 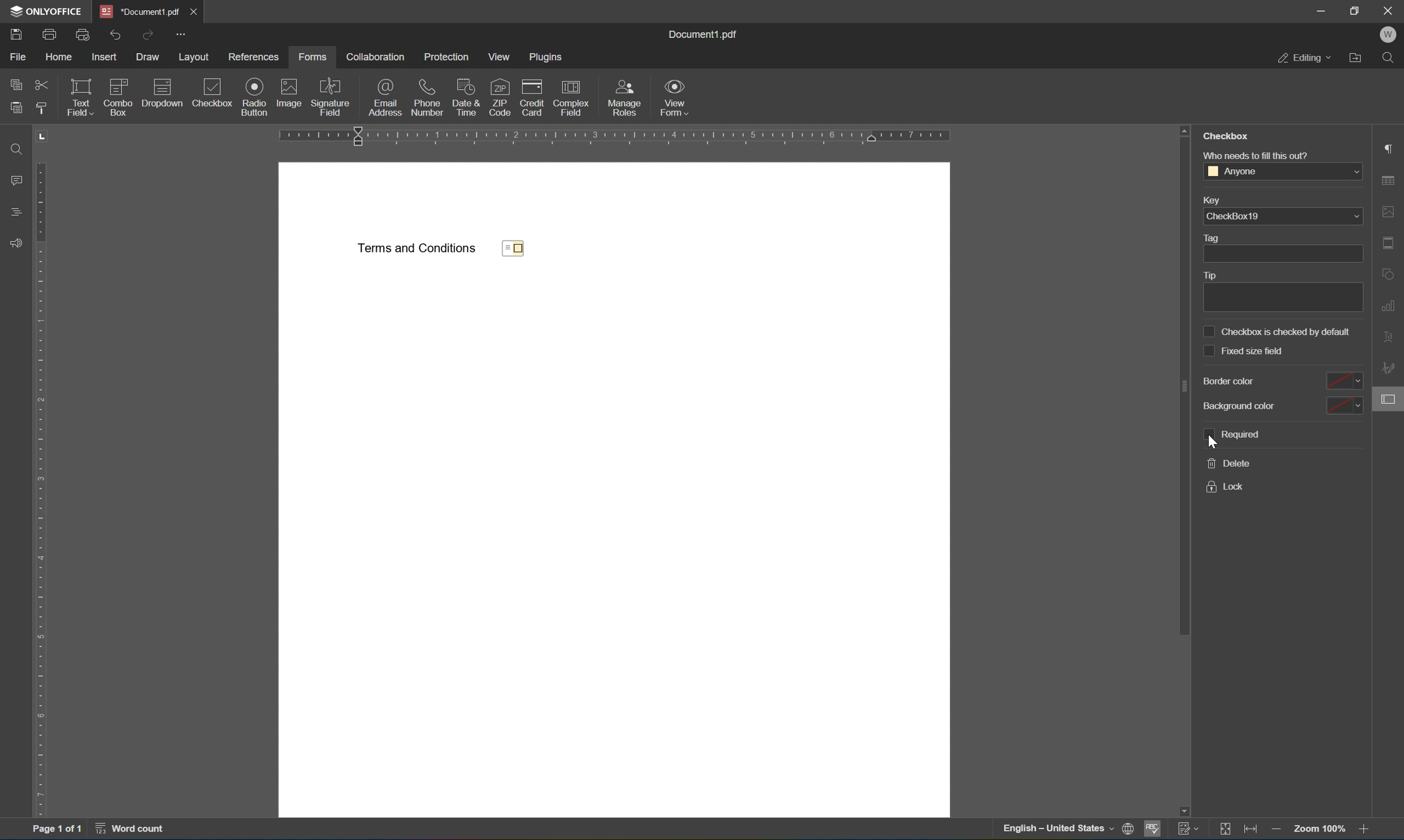 What do you see at coordinates (19, 109) in the screenshot?
I see `paste` at bounding box center [19, 109].